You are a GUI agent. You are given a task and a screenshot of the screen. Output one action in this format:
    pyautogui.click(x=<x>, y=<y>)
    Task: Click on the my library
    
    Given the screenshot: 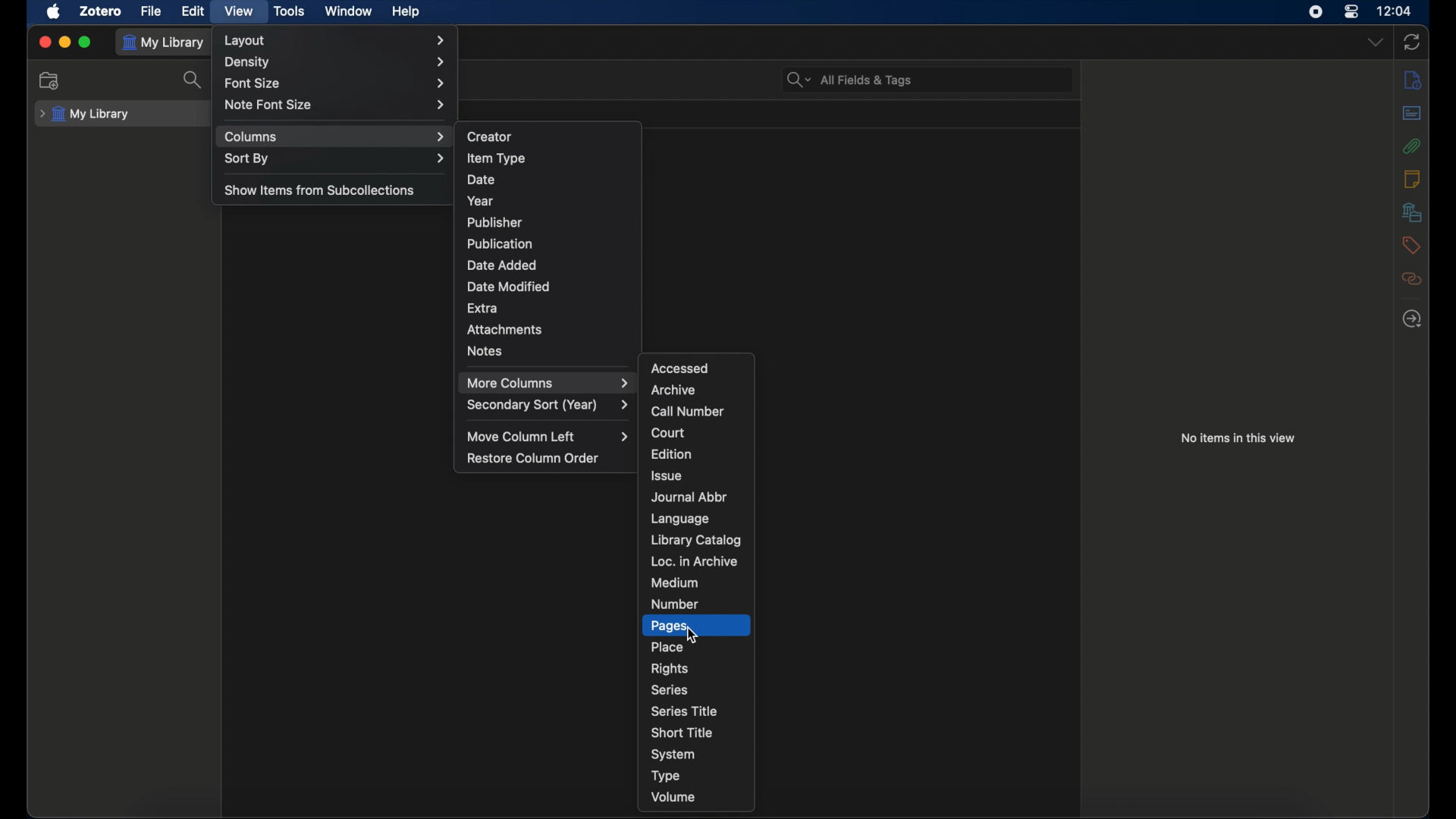 What is the action you would take?
    pyautogui.click(x=83, y=115)
    